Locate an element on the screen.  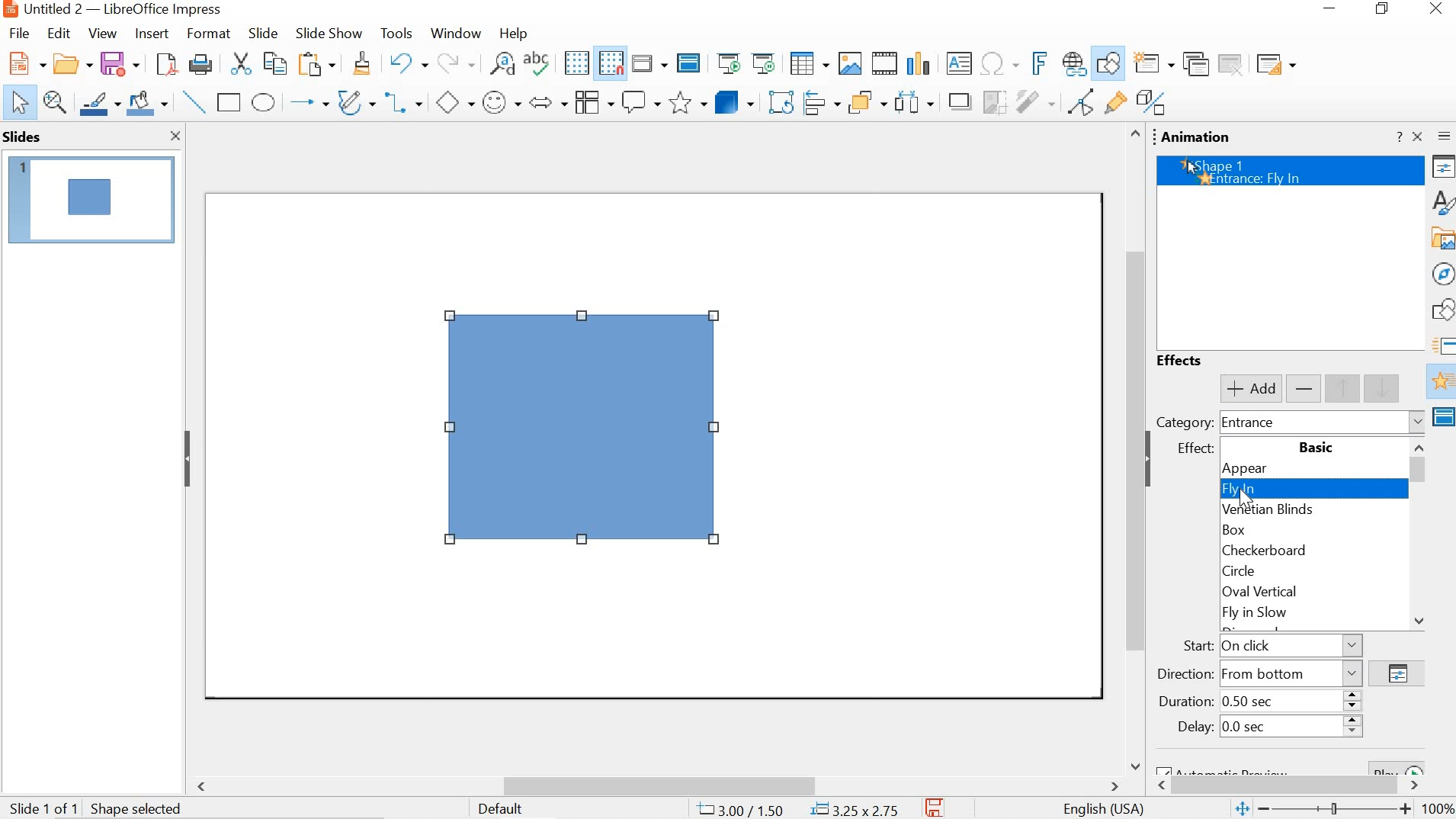
insert image is located at coordinates (849, 62).